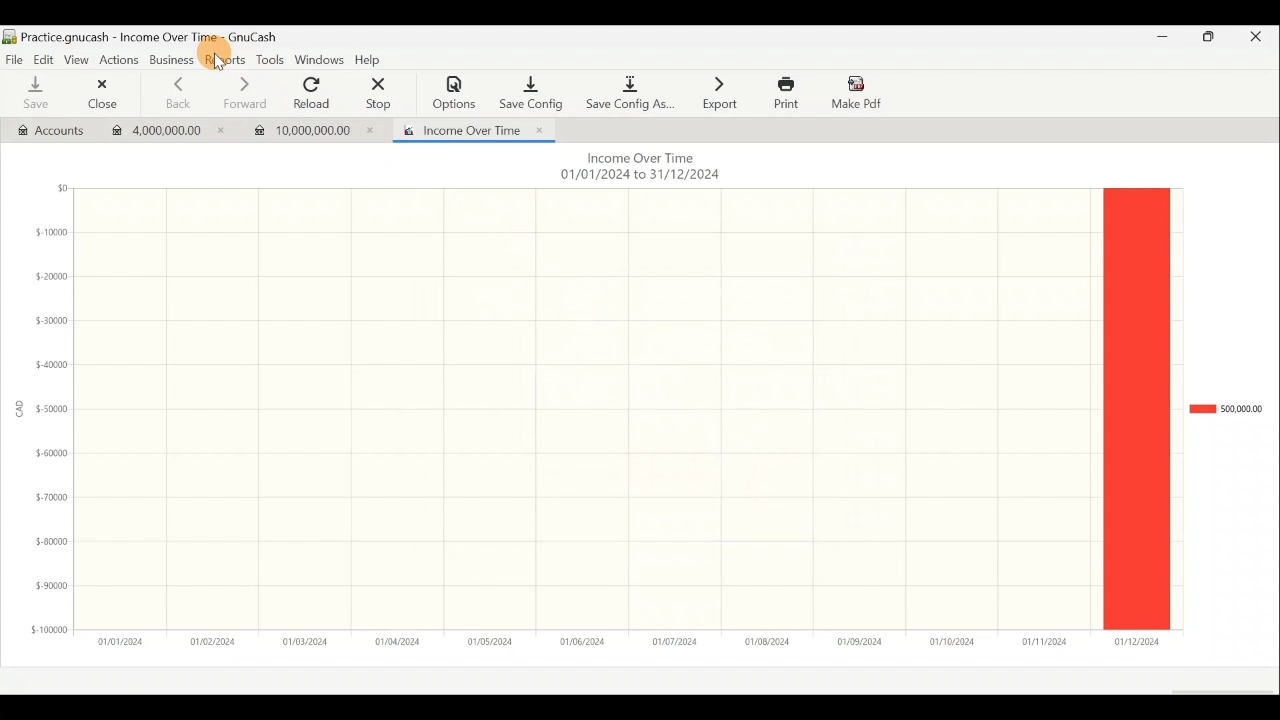 Image resolution: width=1280 pixels, height=720 pixels. What do you see at coordinates (588, 407) in the screenshot?
I see `Grid lines` at bounding box center [588, 407].